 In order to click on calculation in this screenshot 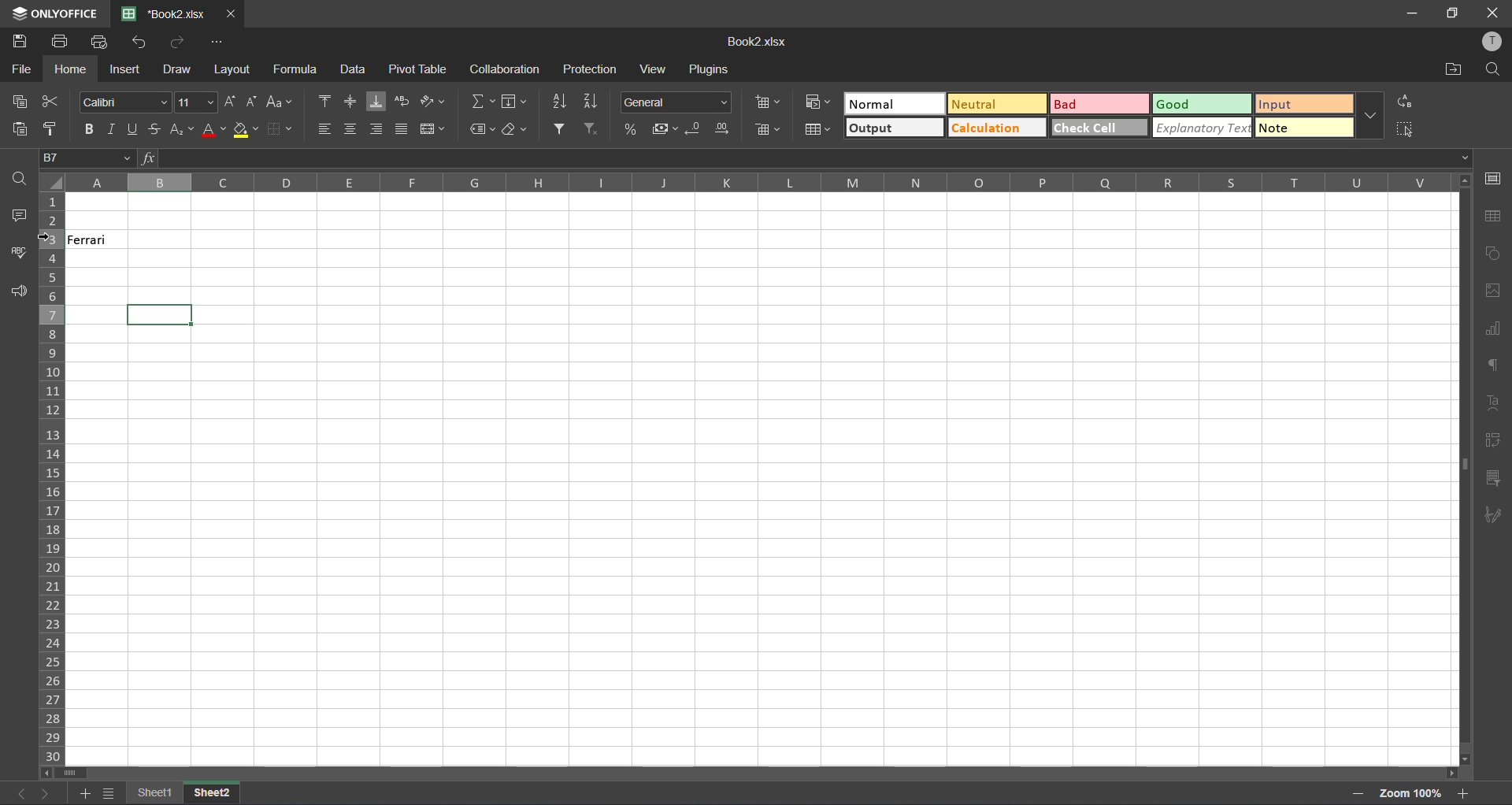, I will do `click(988, 128)`.